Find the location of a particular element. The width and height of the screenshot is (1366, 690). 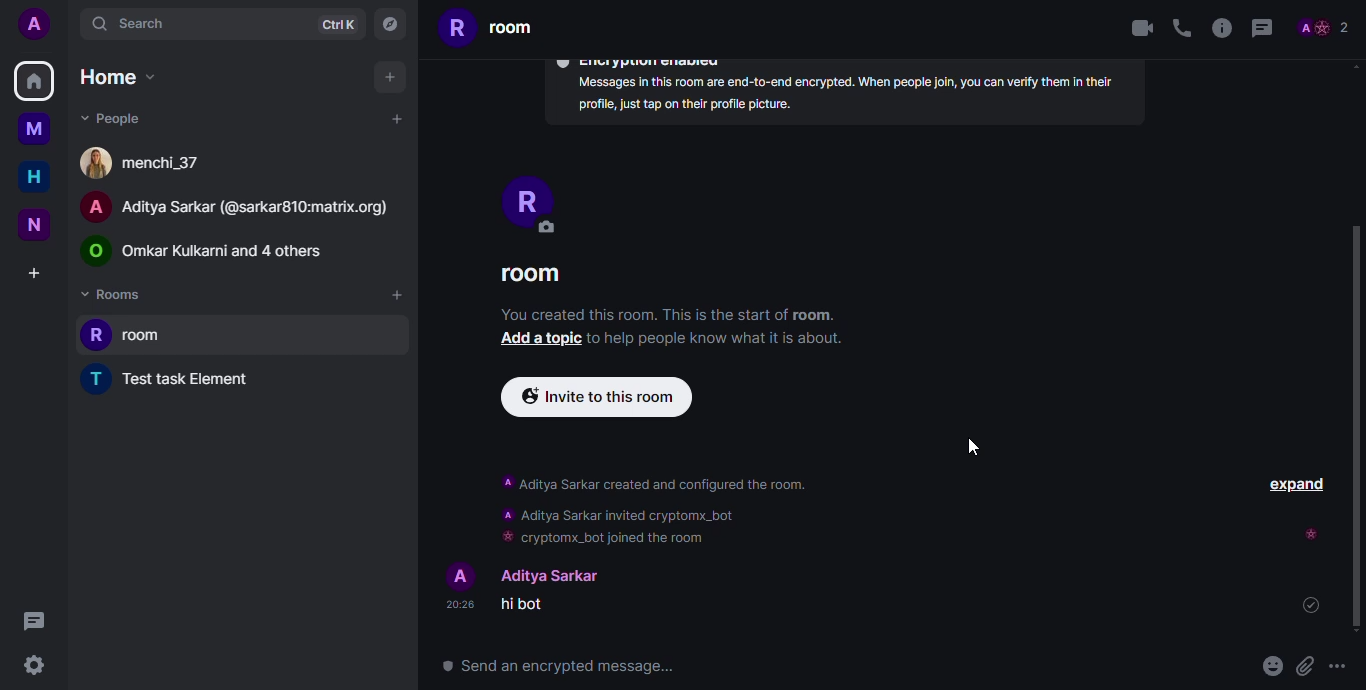

video call is located at coordinates (1132, 26).